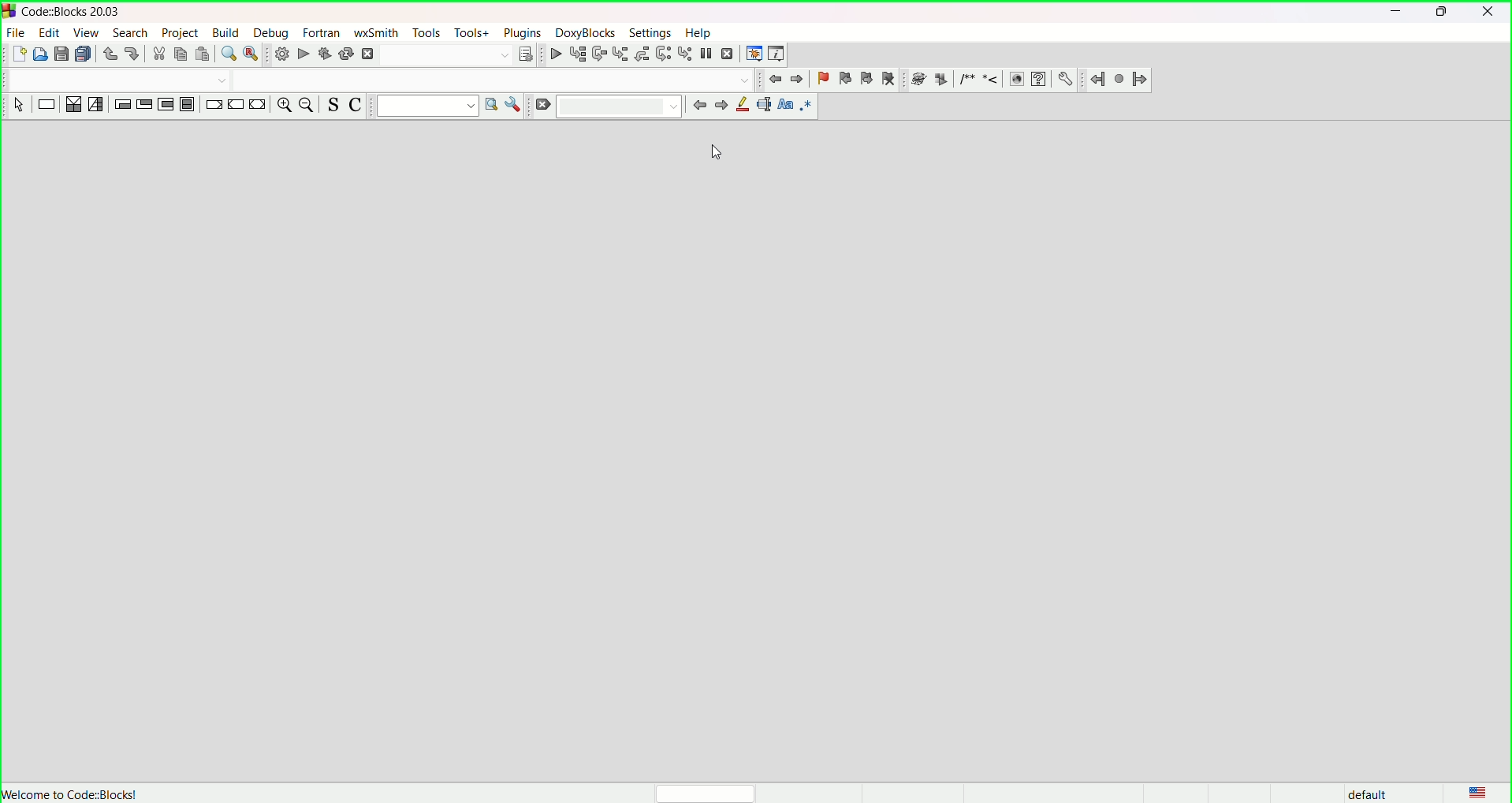 This screenshot has width=1512, height=803. What do you see at coordinates (42, 56) in the screenshot?
I see `open` at bounding box center [42, 56].